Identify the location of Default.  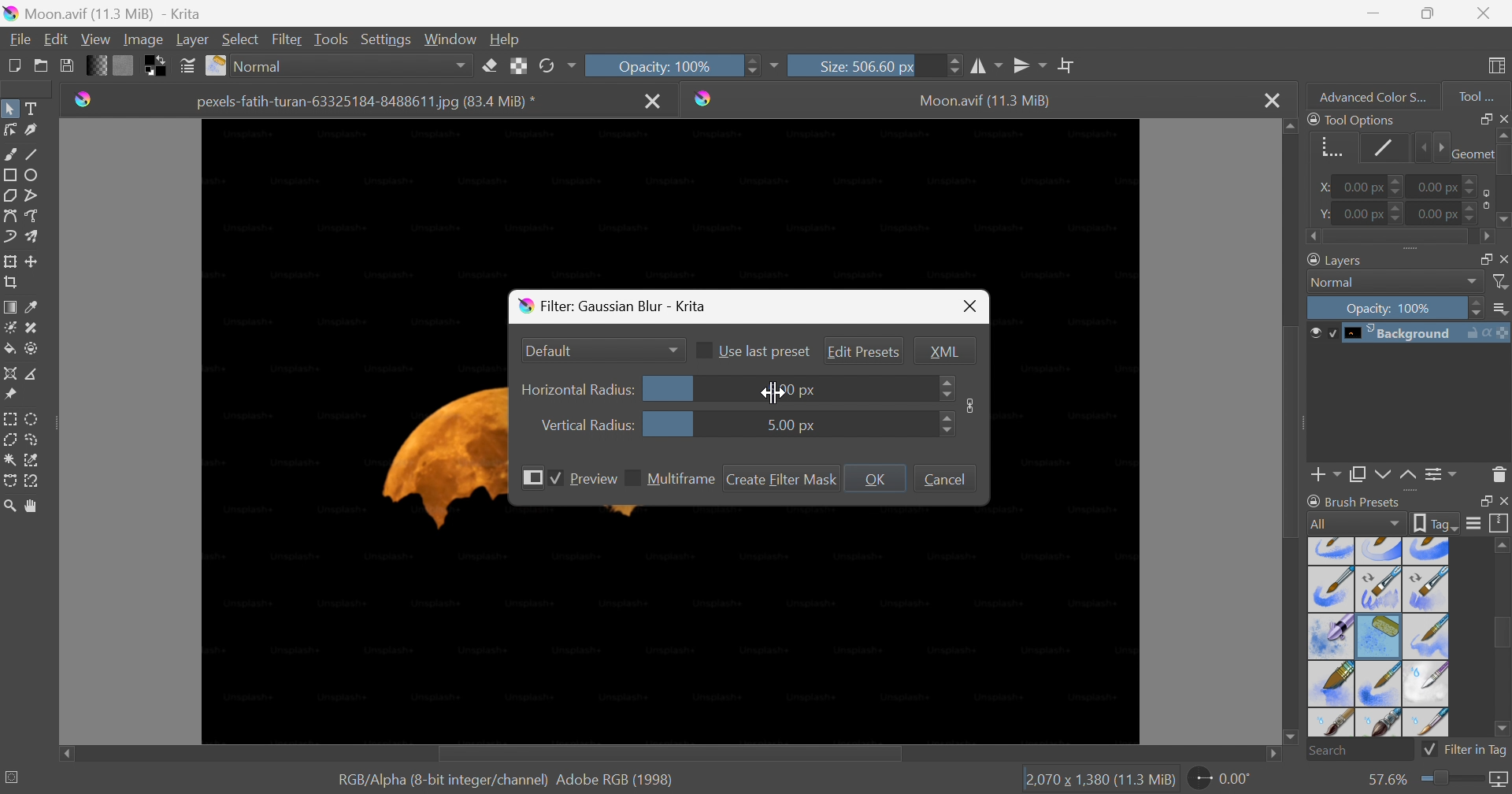
(551, 351).